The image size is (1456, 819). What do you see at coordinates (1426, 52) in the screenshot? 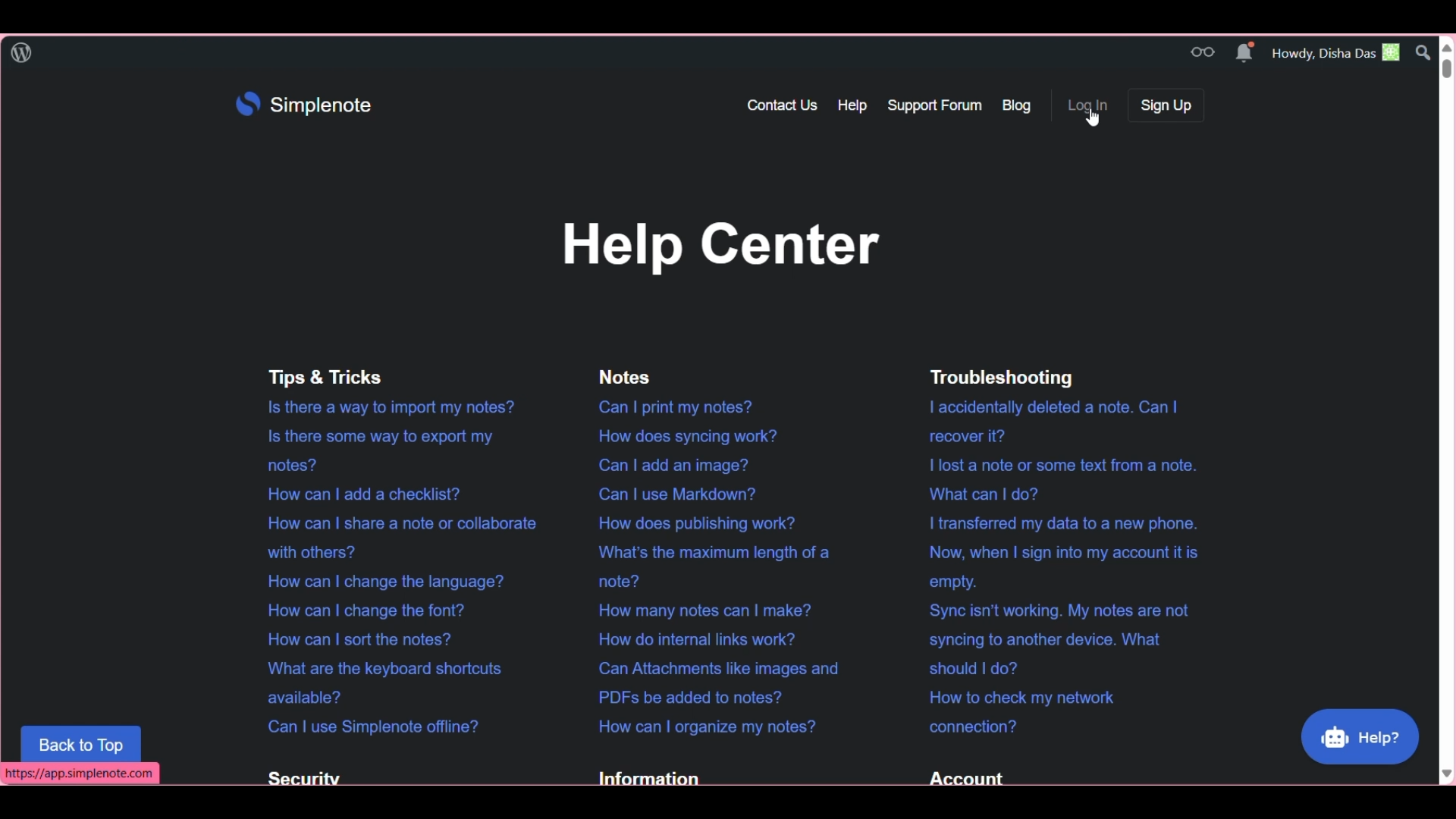
I see `Click to search` at bounding box center [1426, 52].